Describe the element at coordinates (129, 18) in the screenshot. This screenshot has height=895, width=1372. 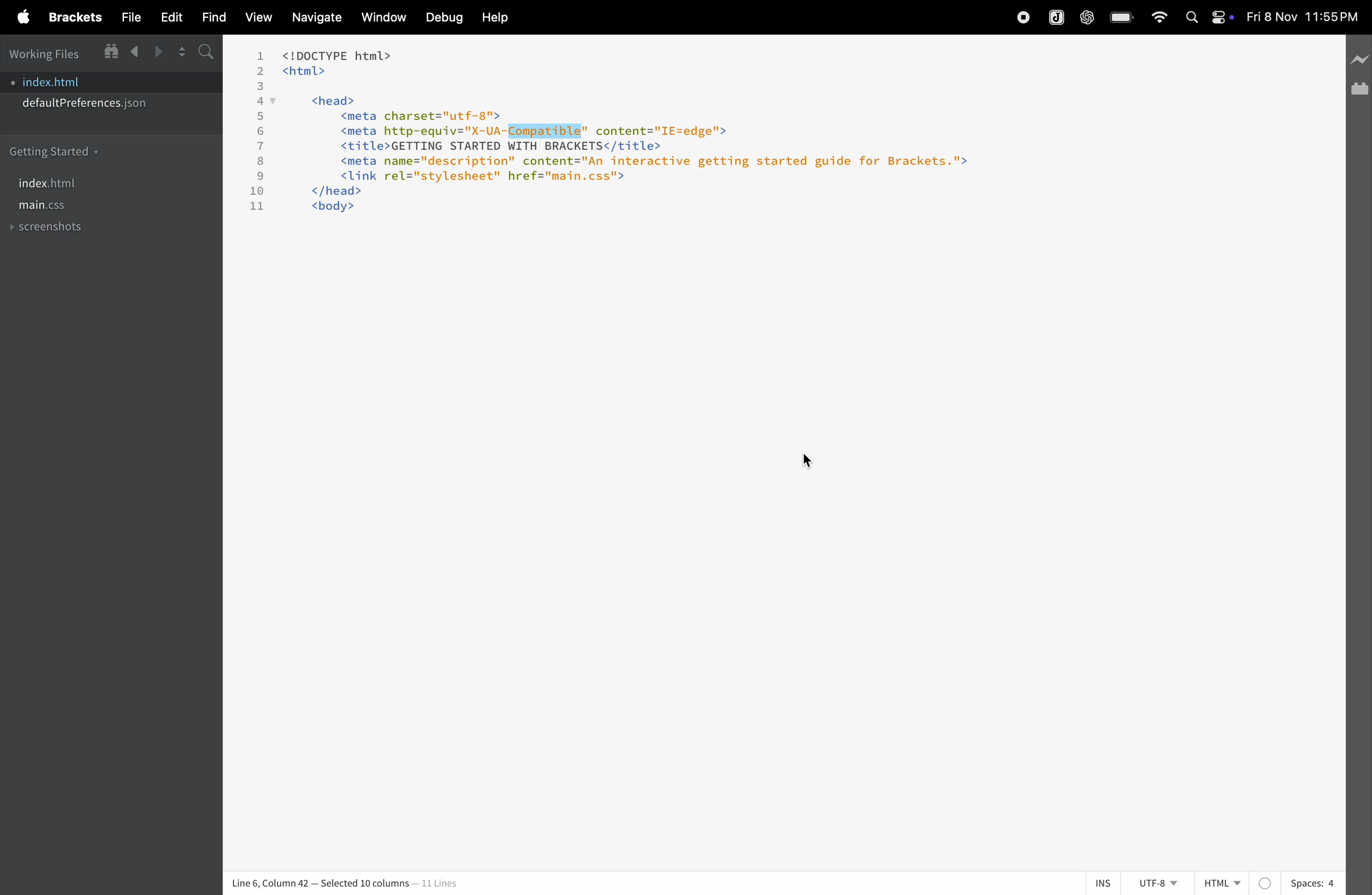
I see `file` at that location.